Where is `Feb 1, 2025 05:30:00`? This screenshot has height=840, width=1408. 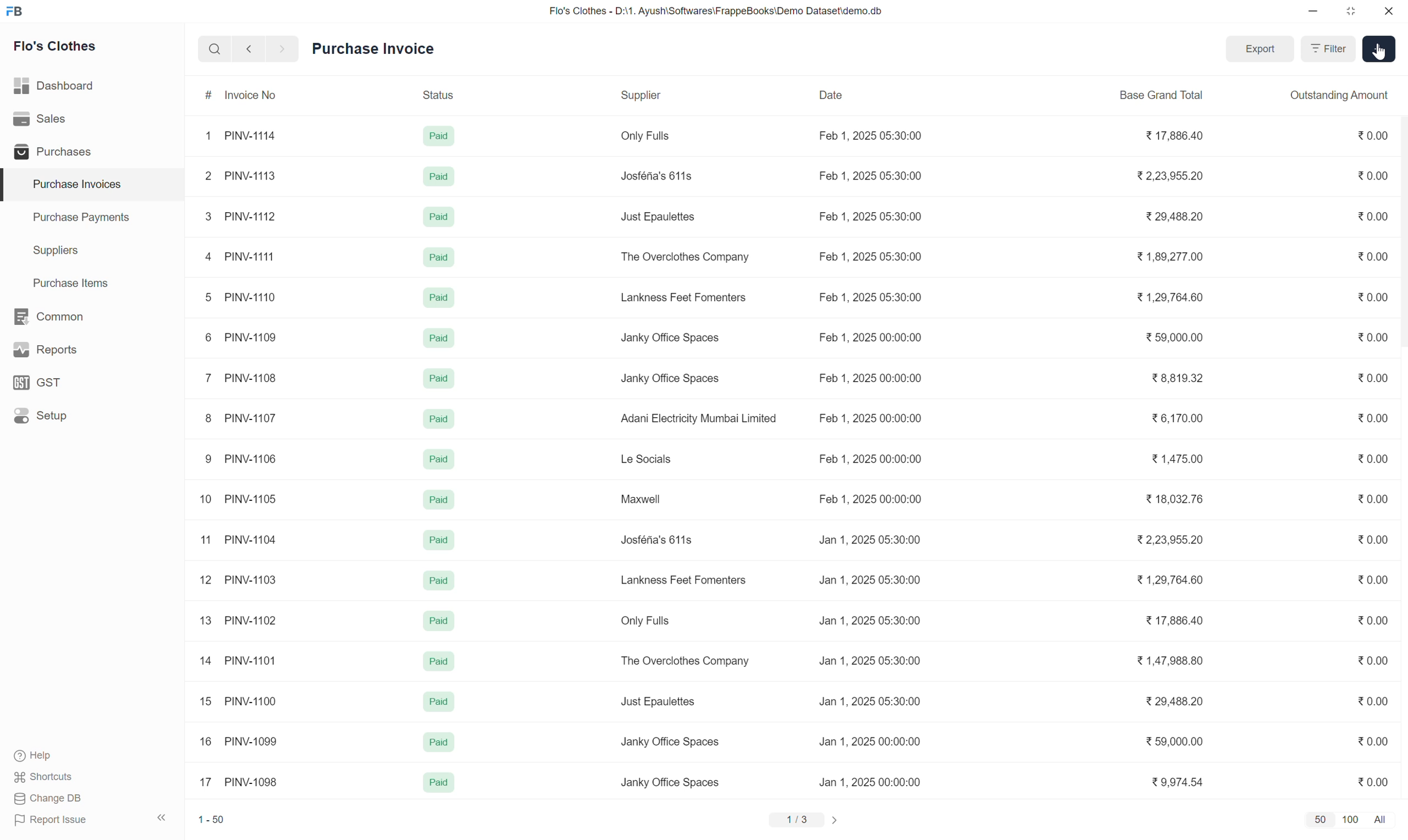
Feb 1, 2025 05:30:00 is located at coordinates (870, 175).